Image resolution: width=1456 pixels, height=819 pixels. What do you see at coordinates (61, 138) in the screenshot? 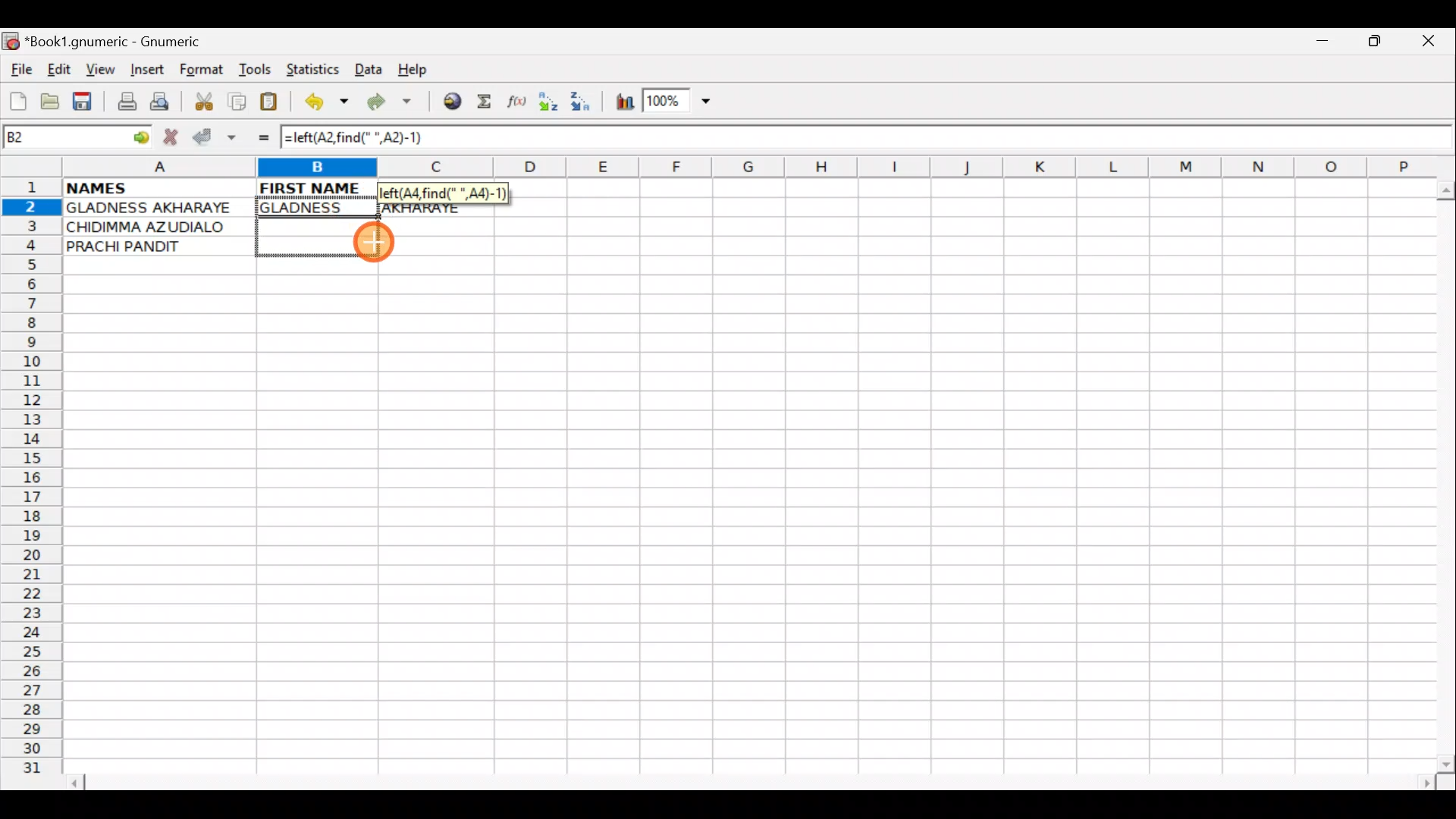
I see `Cell name B2` at bounding box center [61, 138].